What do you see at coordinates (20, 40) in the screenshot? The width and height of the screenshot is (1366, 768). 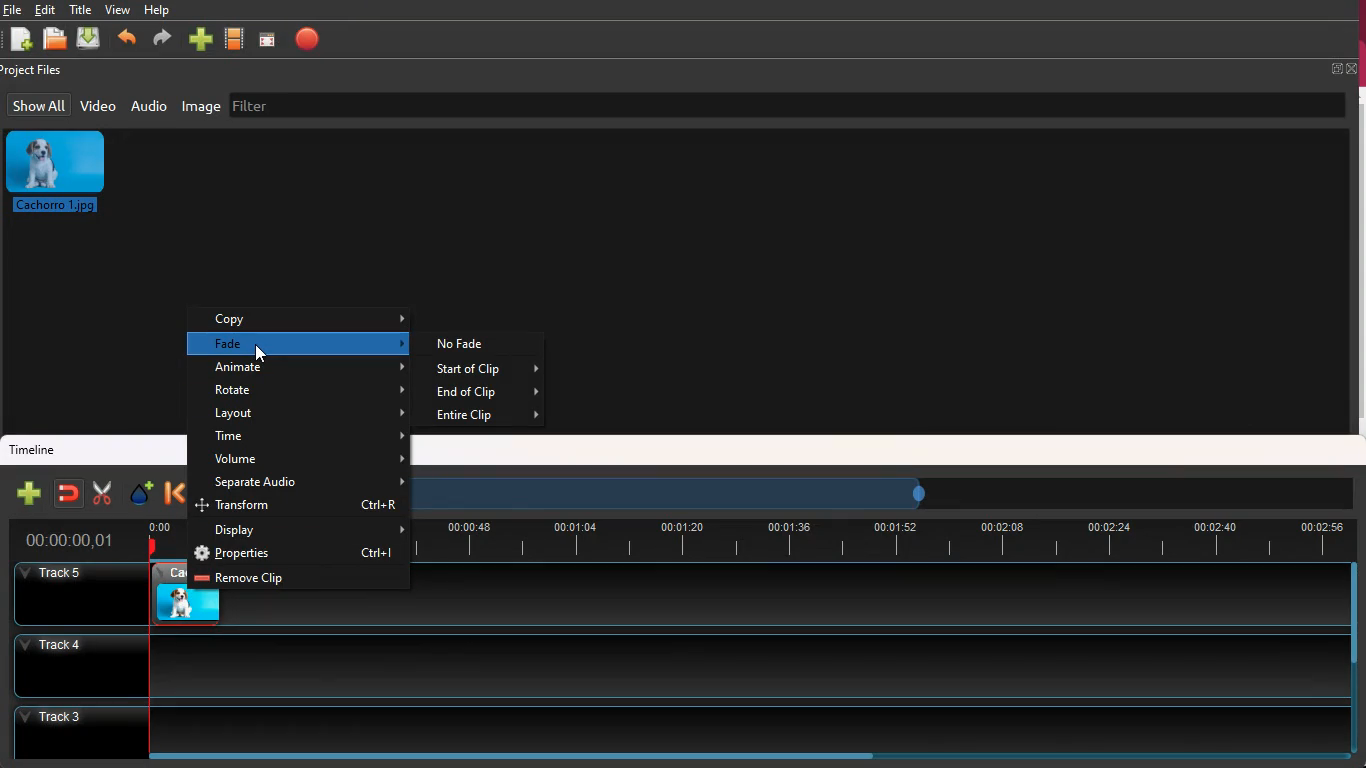 I see `new` at bounding box center [20, 40].